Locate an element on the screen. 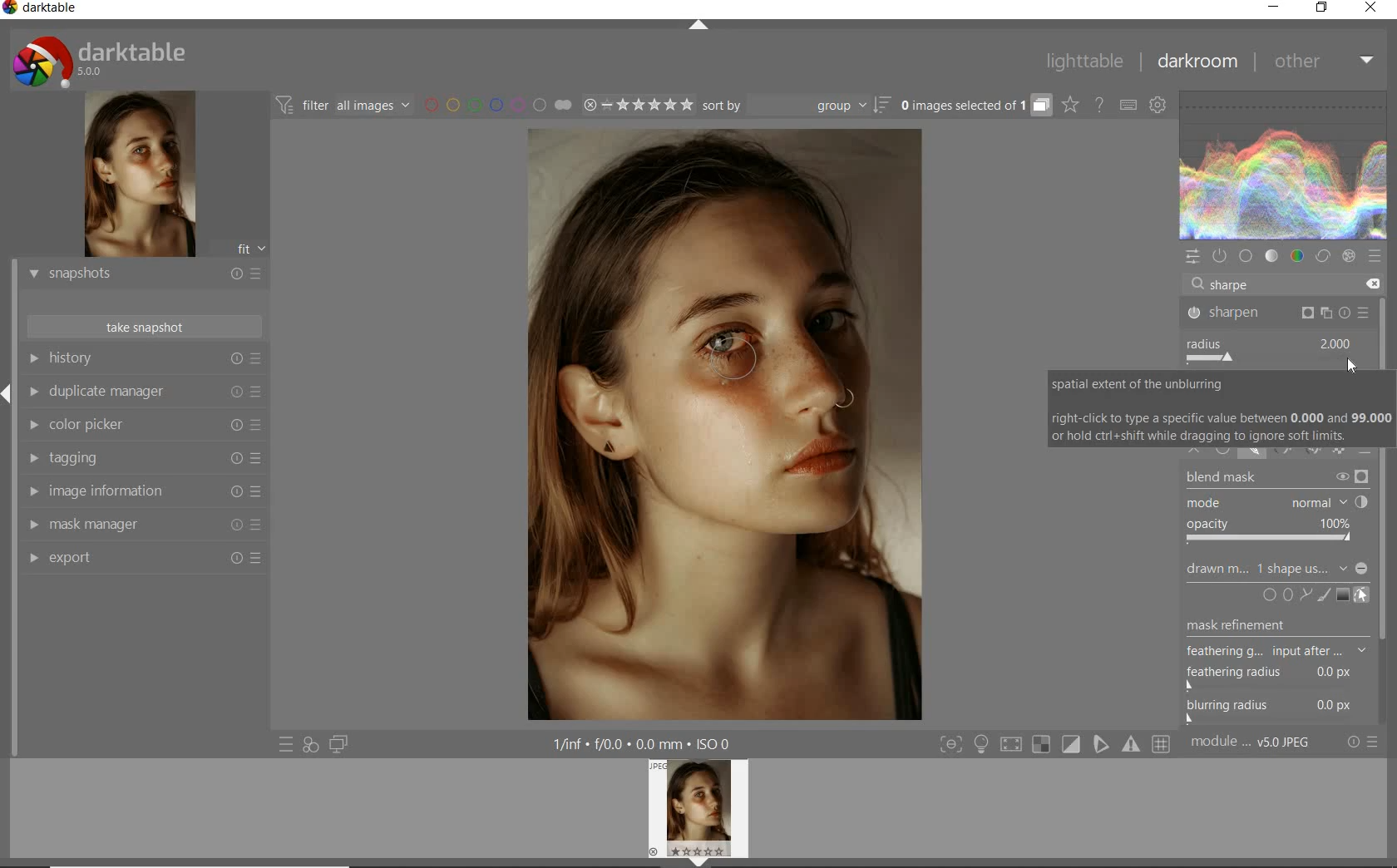 This screenshot has height=868, width=1397. presets is located at coordinates (1374, 256).